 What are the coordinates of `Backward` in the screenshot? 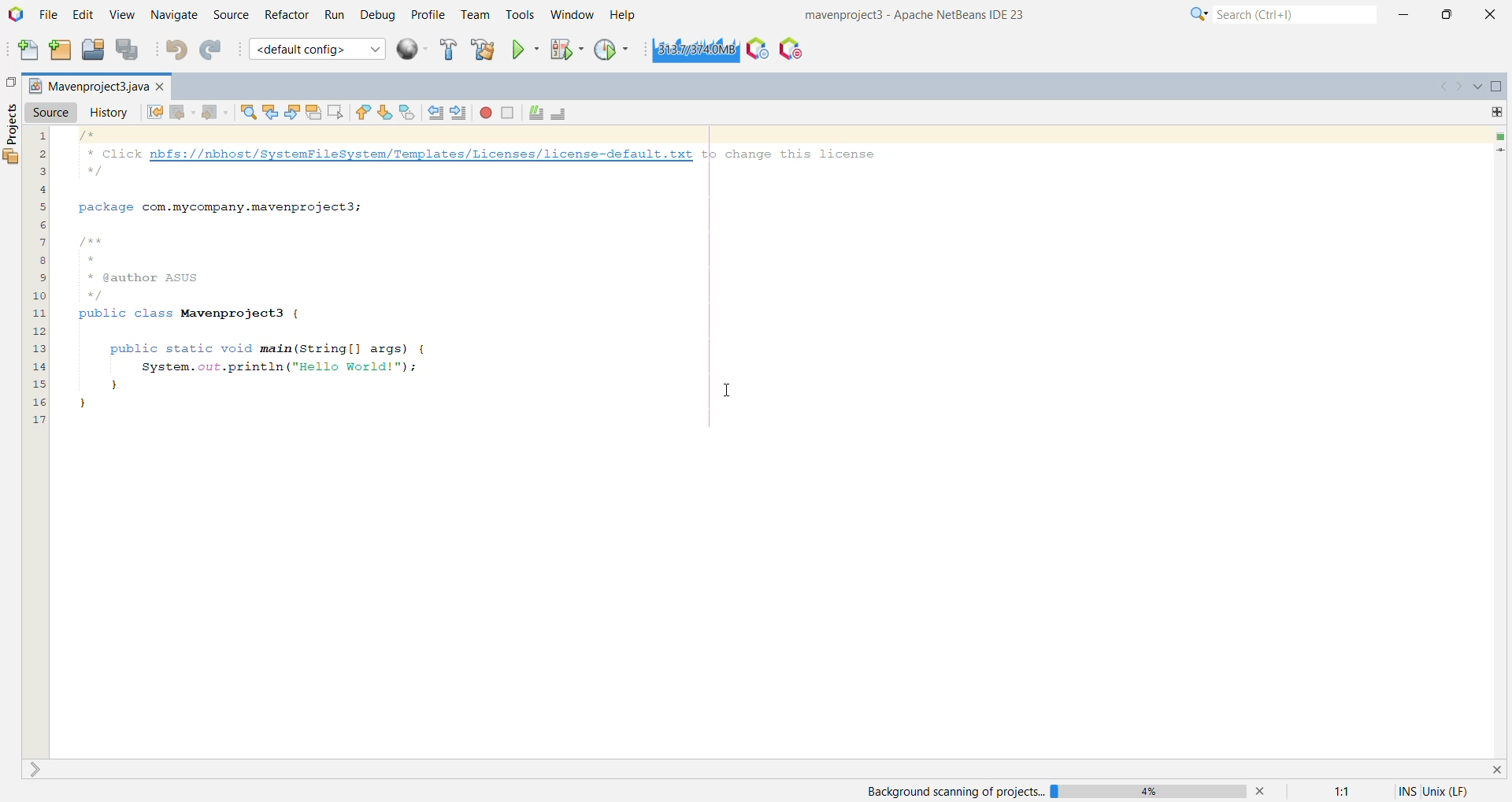 It's located at (182, 113).